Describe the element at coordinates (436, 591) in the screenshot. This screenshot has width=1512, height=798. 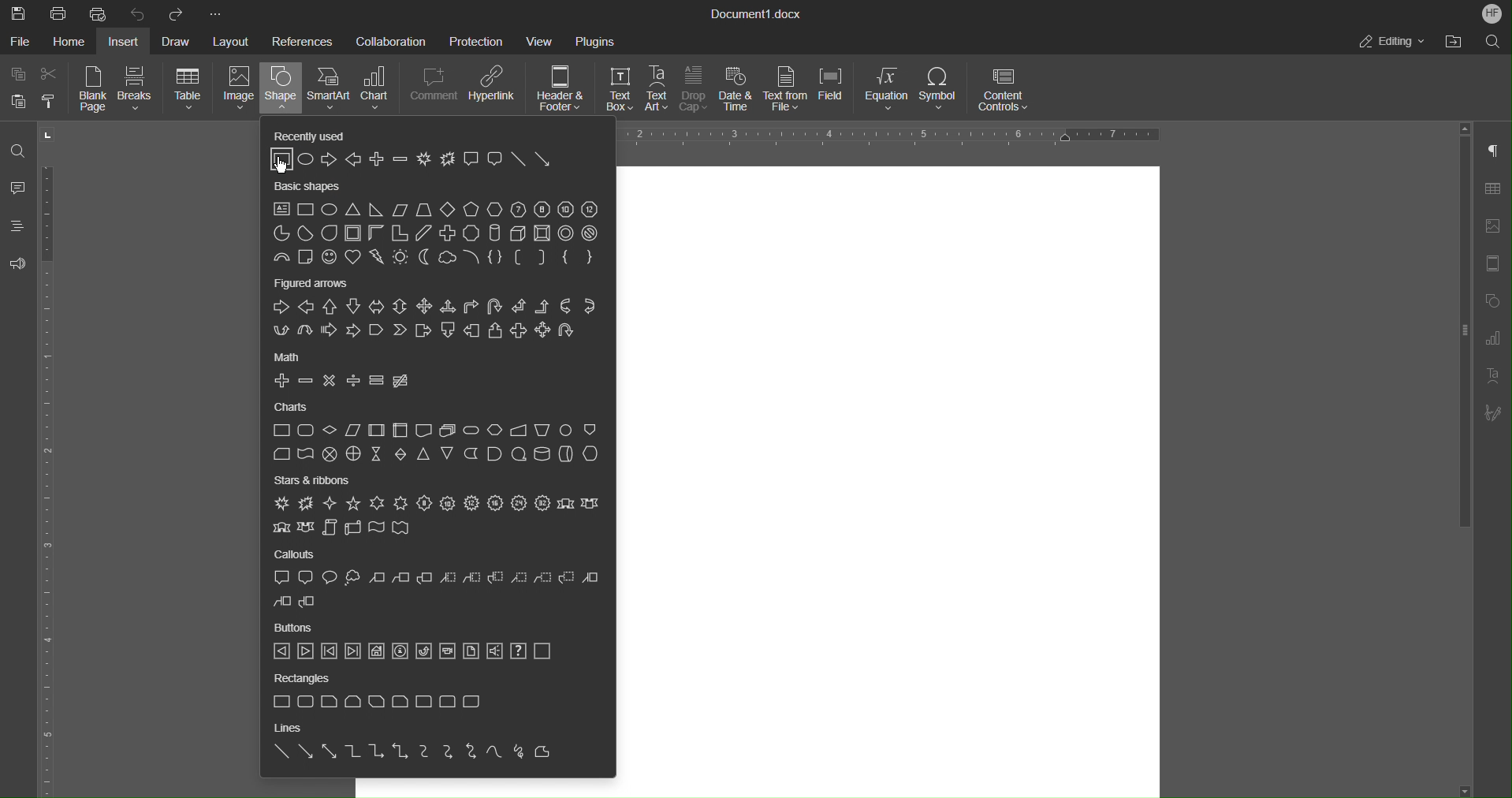
I see `Callout Shapes` at that location.